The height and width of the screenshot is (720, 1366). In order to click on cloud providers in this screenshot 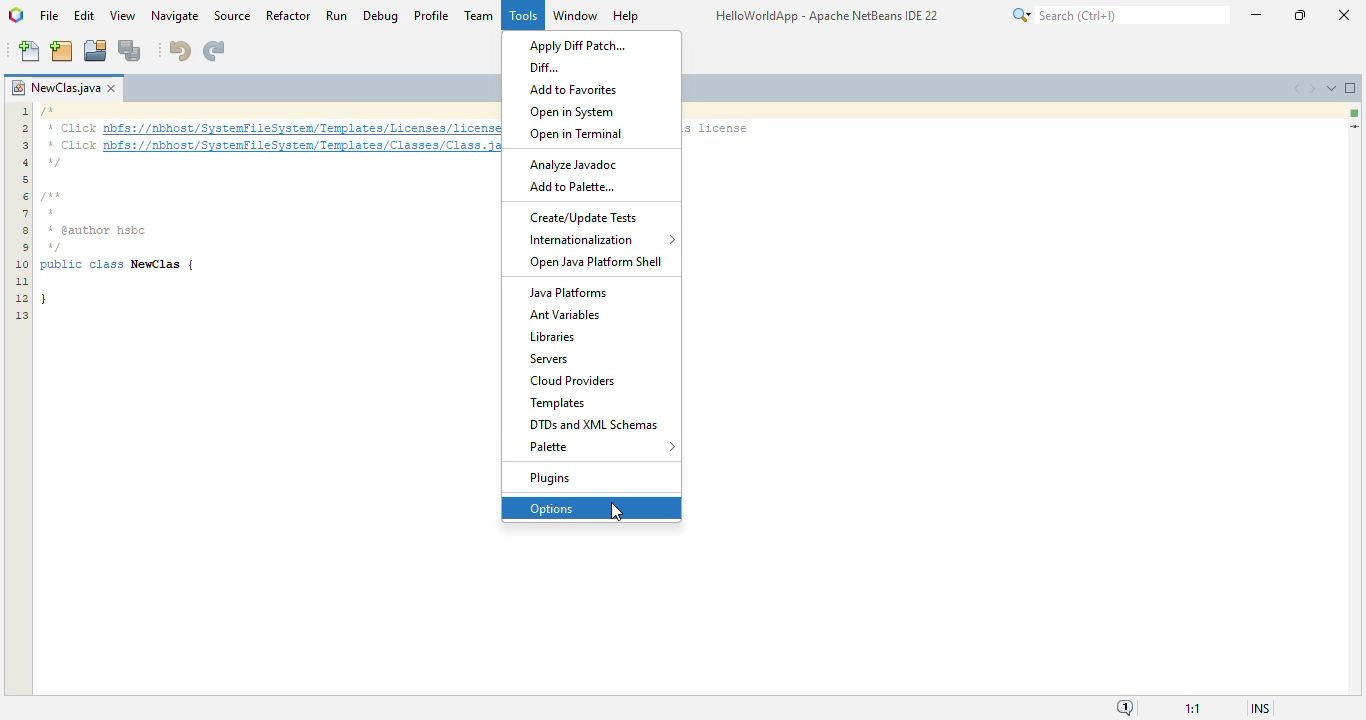, I will do `click(573, 380)`.